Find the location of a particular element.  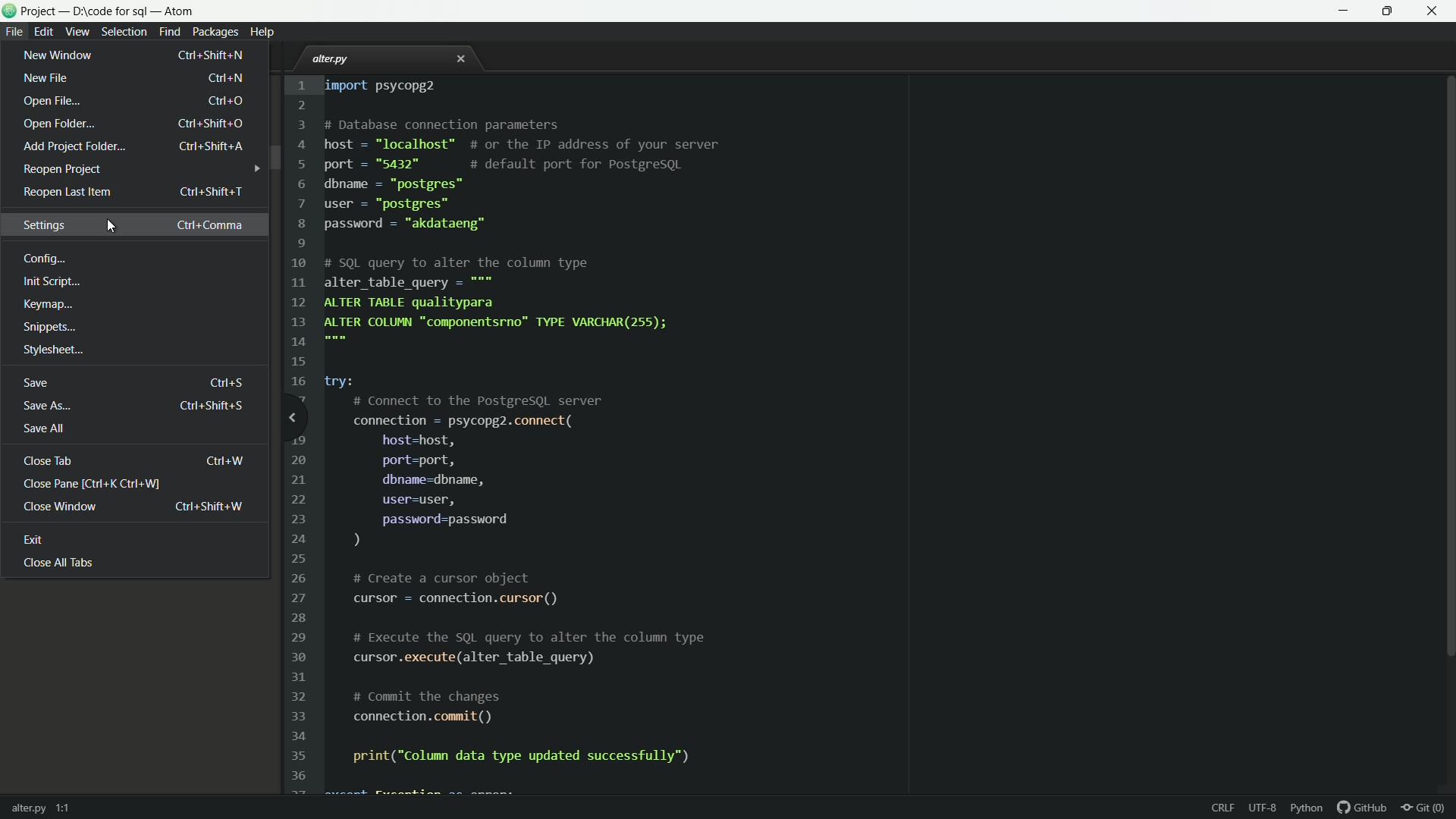

alter.py 1:1 is located at coordinates (44, 805).